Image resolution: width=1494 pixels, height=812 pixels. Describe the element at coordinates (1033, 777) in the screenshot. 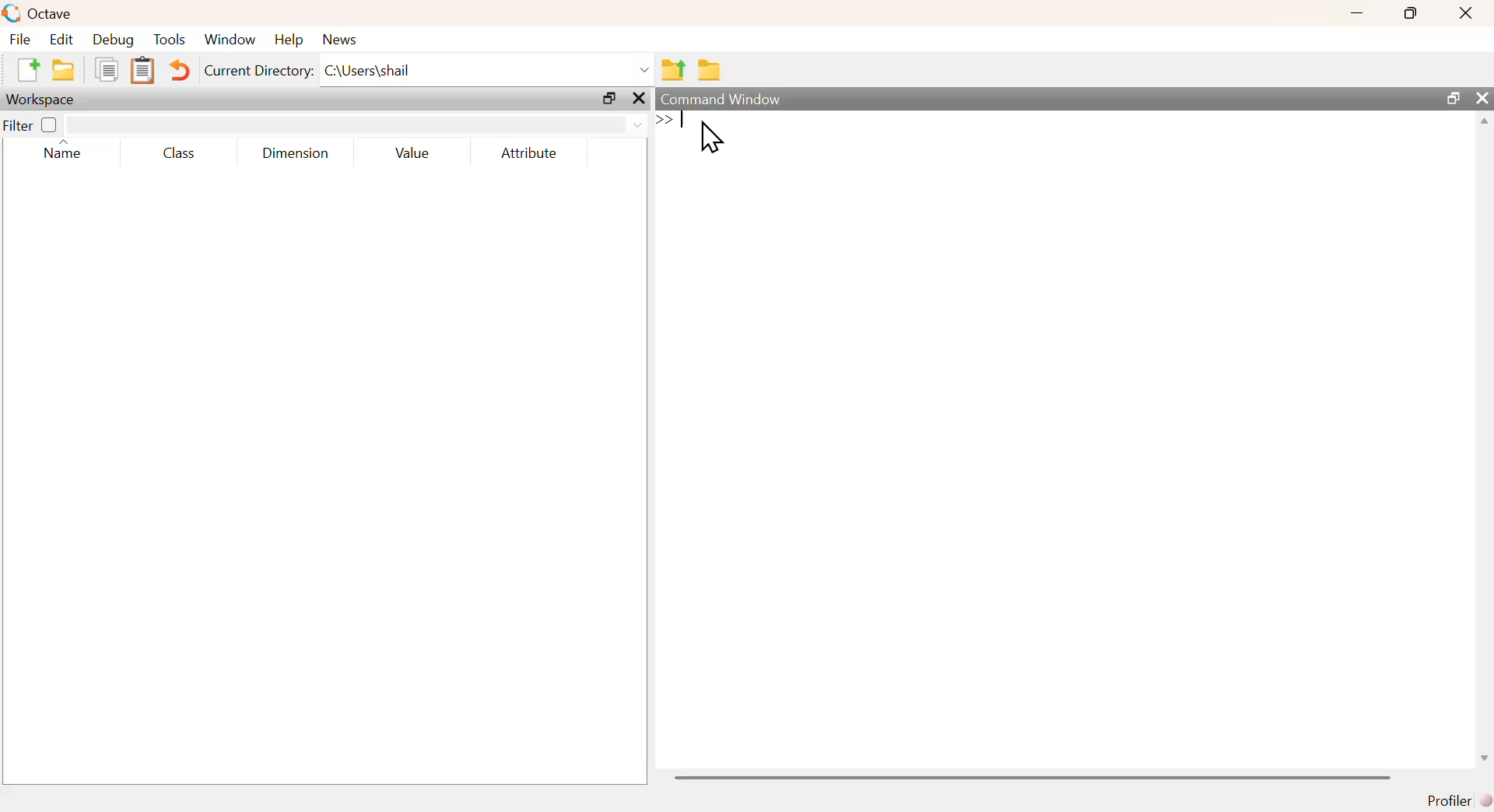

I see `scrollbar` at that location.